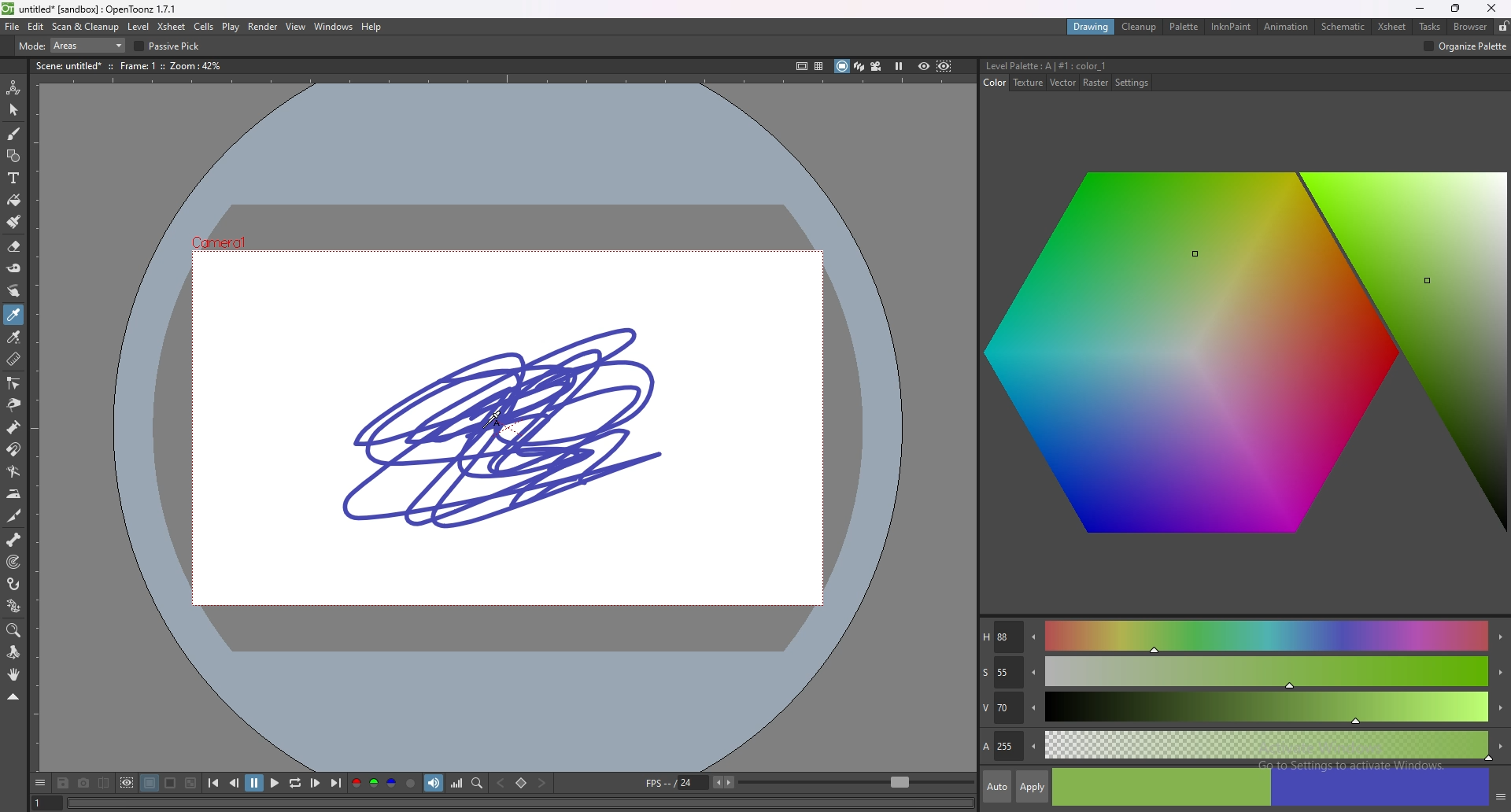  What do you see at coordinates (391, 782) in the screenshot?
I see `blue channel` at bounding box center [391, 782].